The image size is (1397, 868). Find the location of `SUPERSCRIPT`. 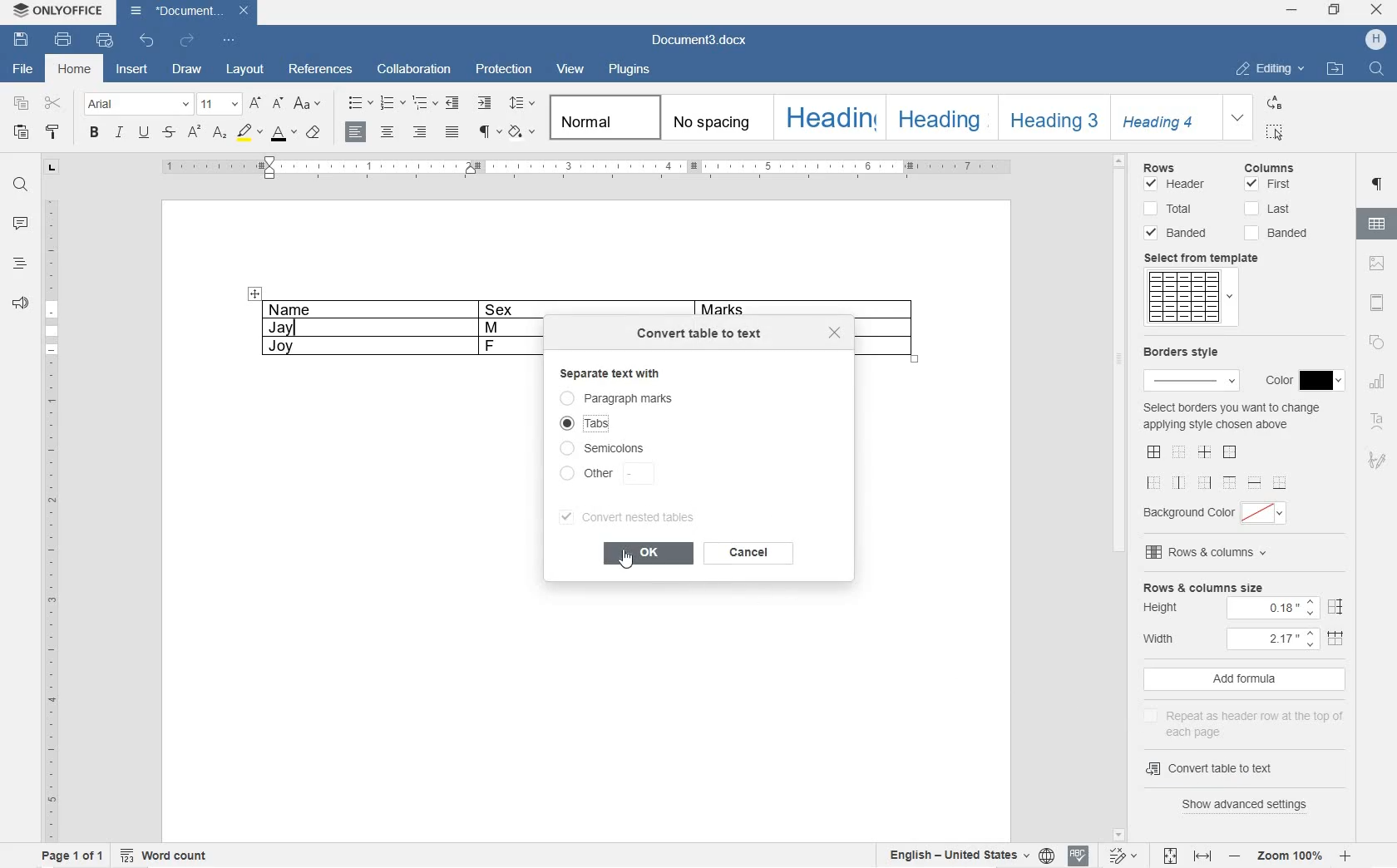

SUPERSCRIPT is located at coordinates (193, 135).